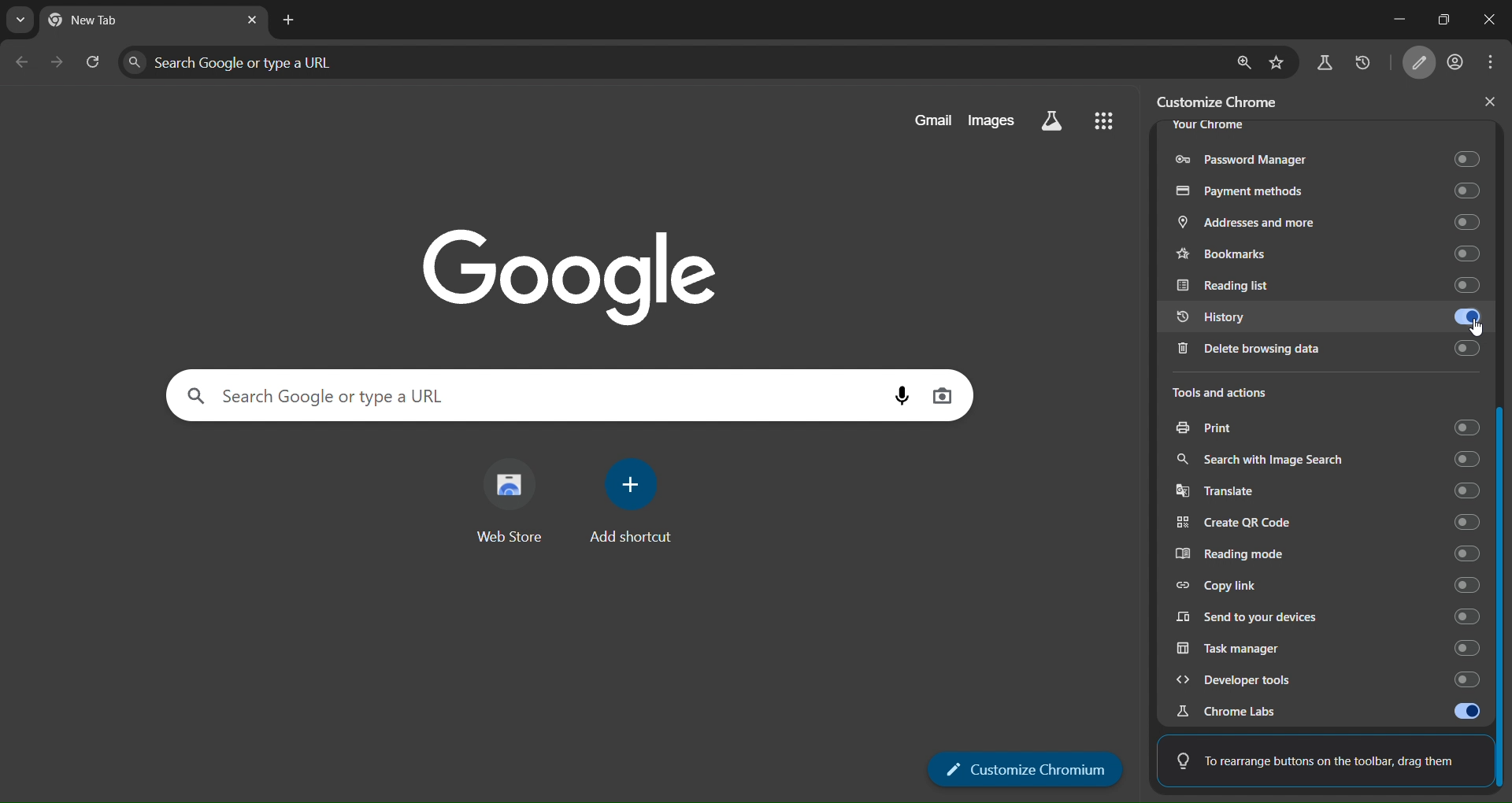  What do you see at coordinates (1328, 711) in the screenshot?
I see `chrome labs` at bounding box center [1328, 711].